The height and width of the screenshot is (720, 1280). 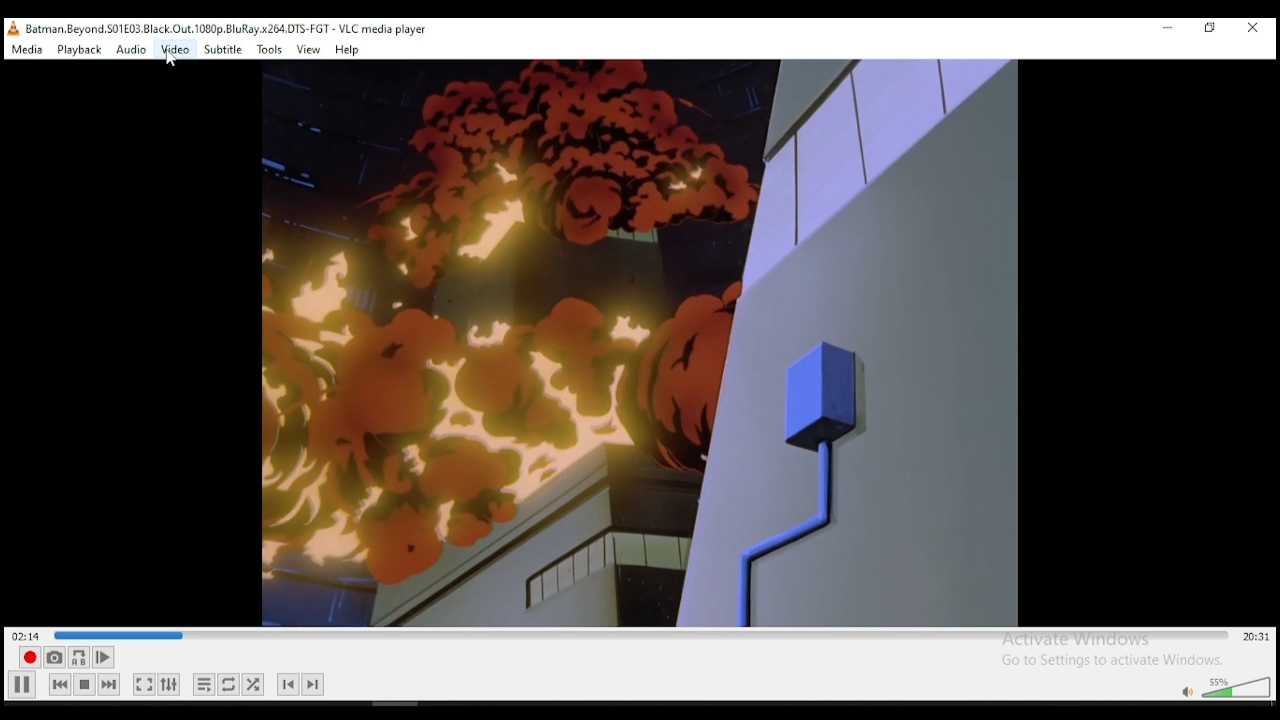 What do you see at coordinates (639, 636) in the screenshot?
I see `seek bar` at bounding box center [639, 636].